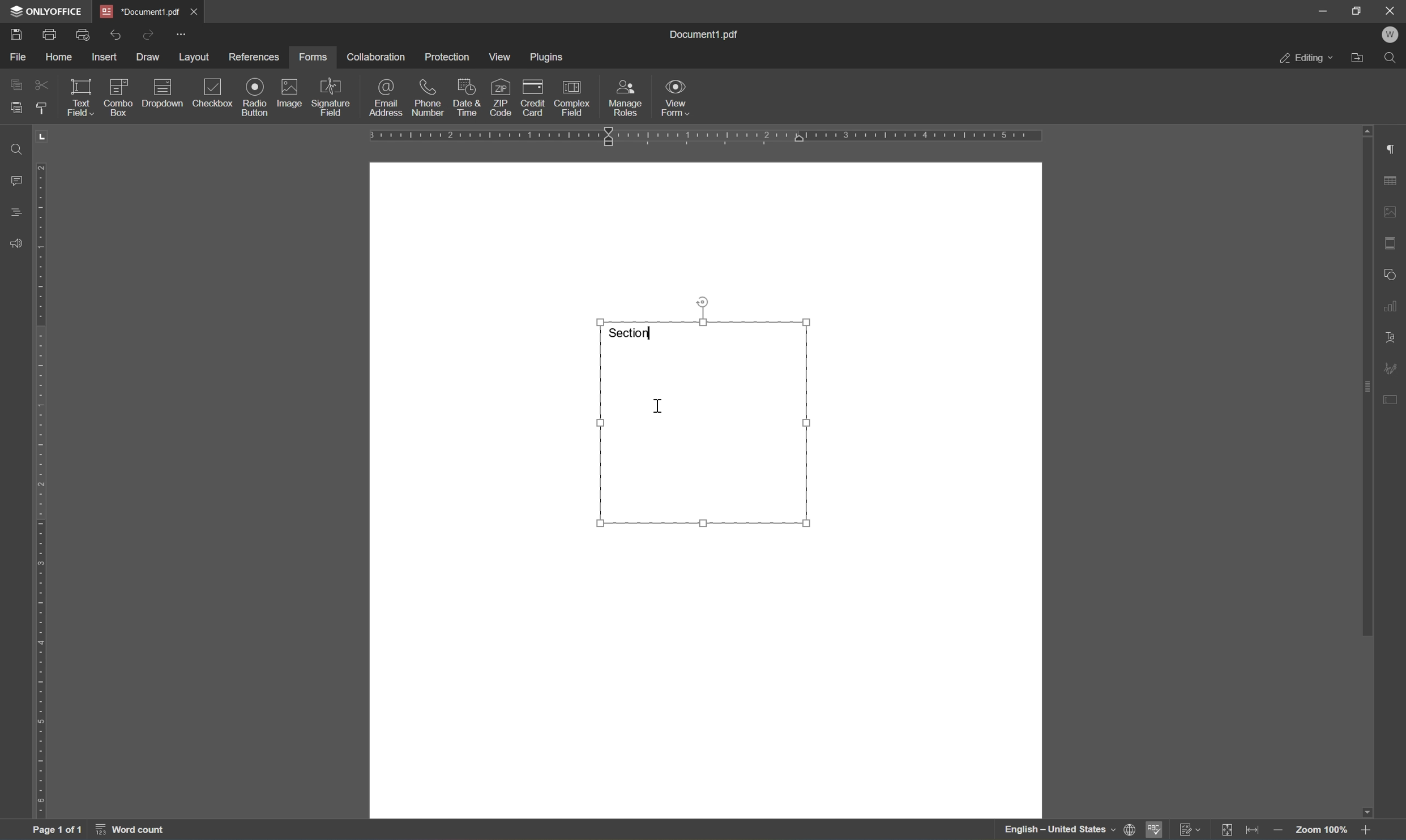 The height and width of the screenshot is (840, 1406). What do you see at coordinates (41, 84) in the screenshot?
I see `cut` at bounding box center [41, 84].